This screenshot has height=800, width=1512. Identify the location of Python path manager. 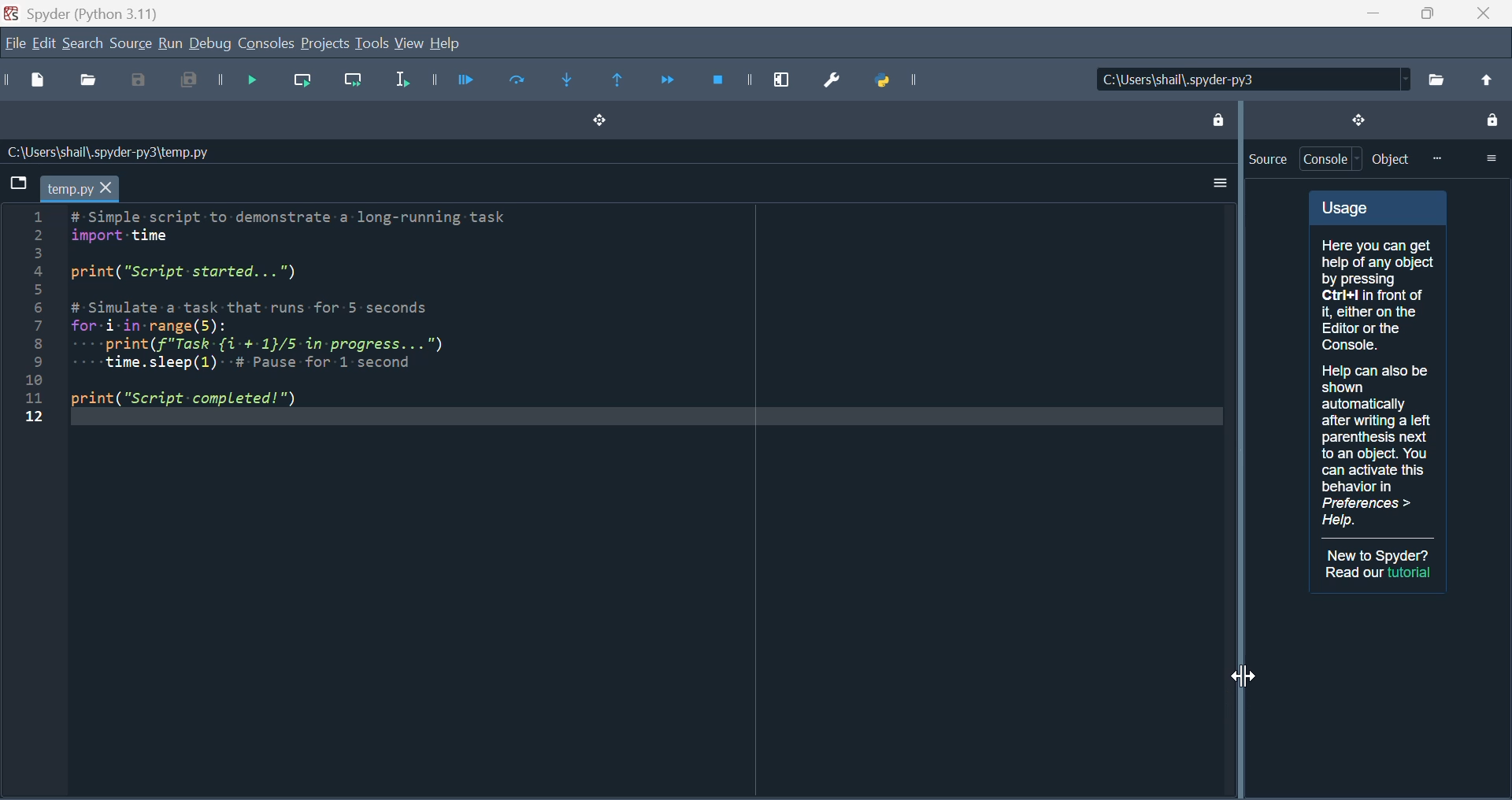
(906, 80).